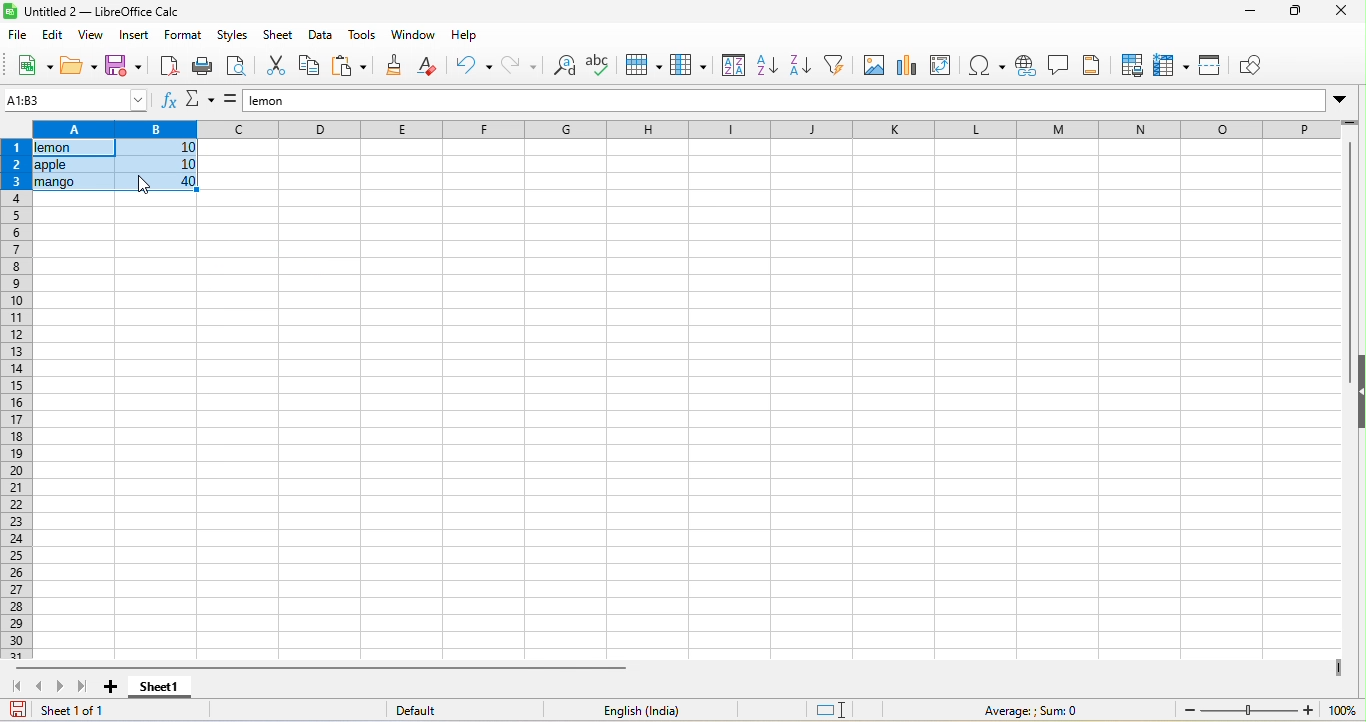 The width and height of the screenshot is (1366, 722). I want to click on zoom, so click(1342, 710).